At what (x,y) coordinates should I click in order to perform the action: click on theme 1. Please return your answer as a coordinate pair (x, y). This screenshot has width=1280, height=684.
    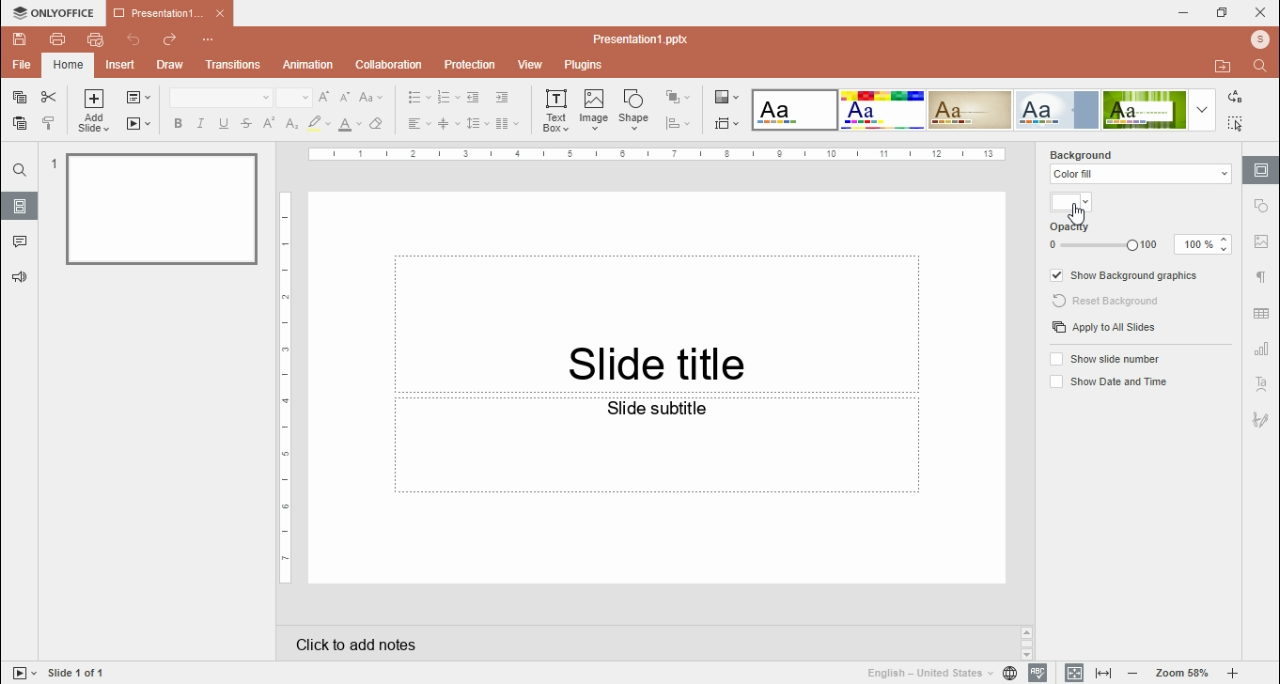
    Looking at the image, I should click on (792, 110).